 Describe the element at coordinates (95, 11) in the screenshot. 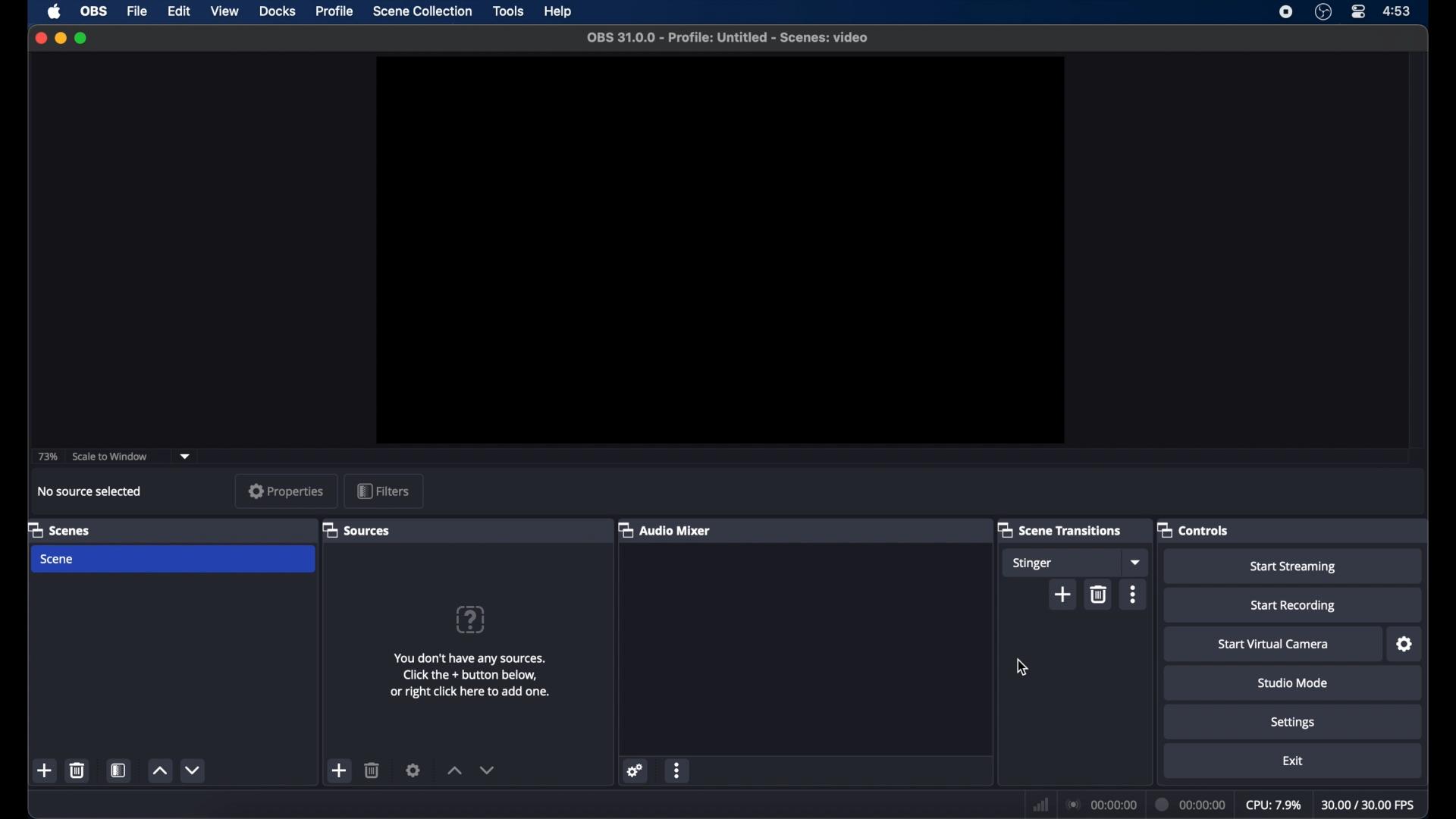

I see `obs` at that location.